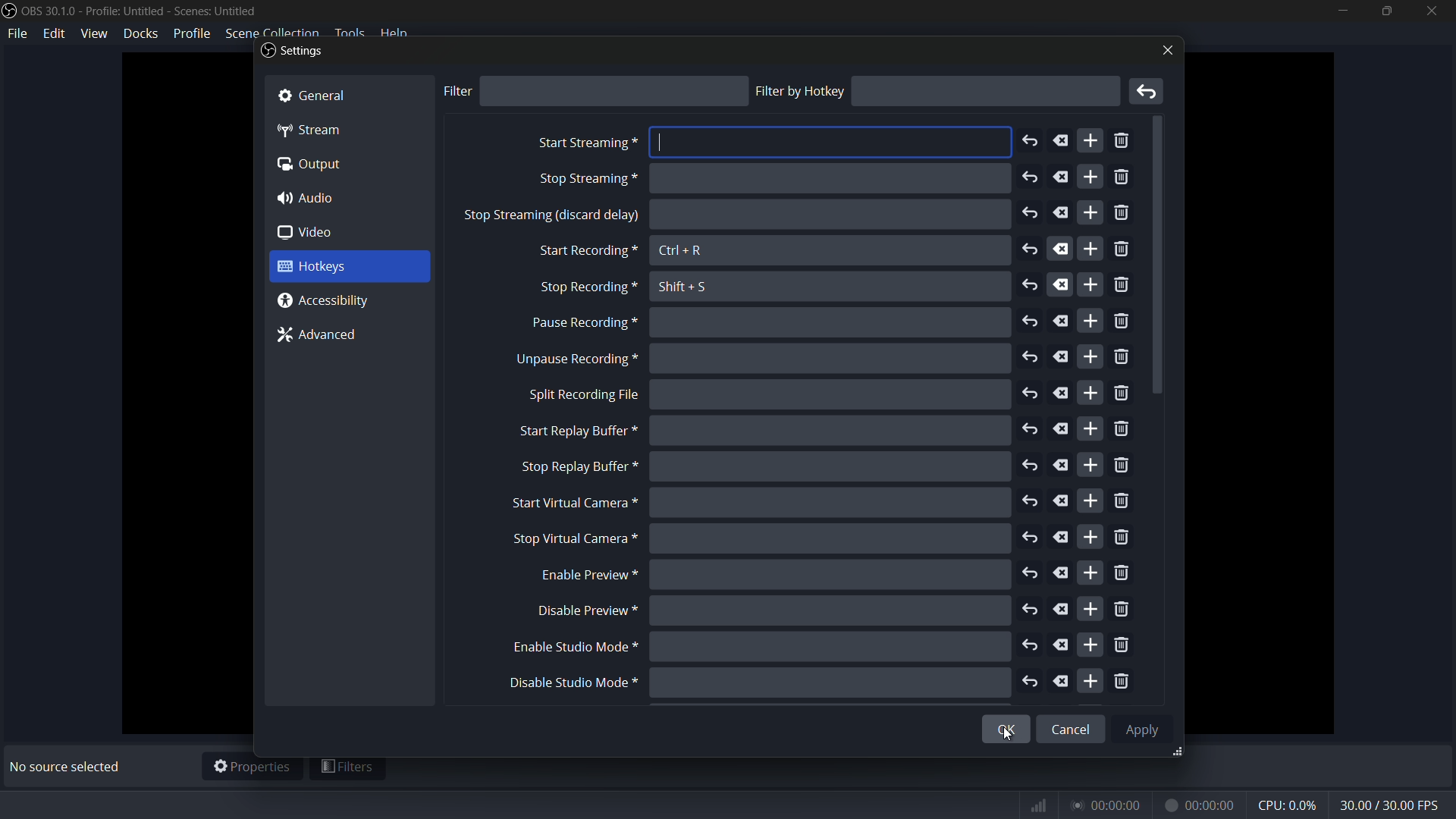  What do you see at coordinates (1061, 177) in the screenshot?
I see `` at bounding box center [1061, 177].